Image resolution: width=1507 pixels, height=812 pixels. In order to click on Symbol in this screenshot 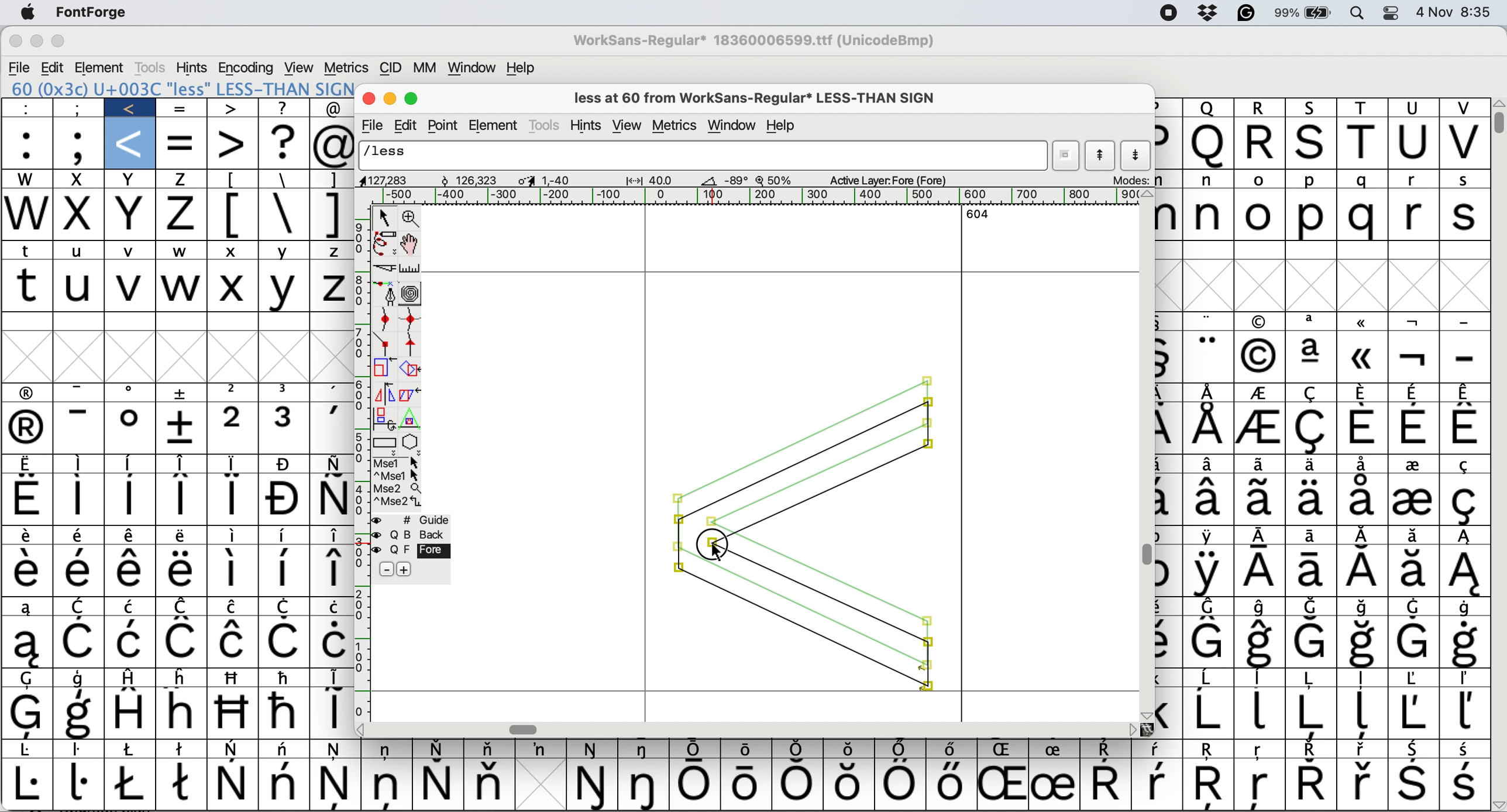, I will do `click(1360, 358)`.